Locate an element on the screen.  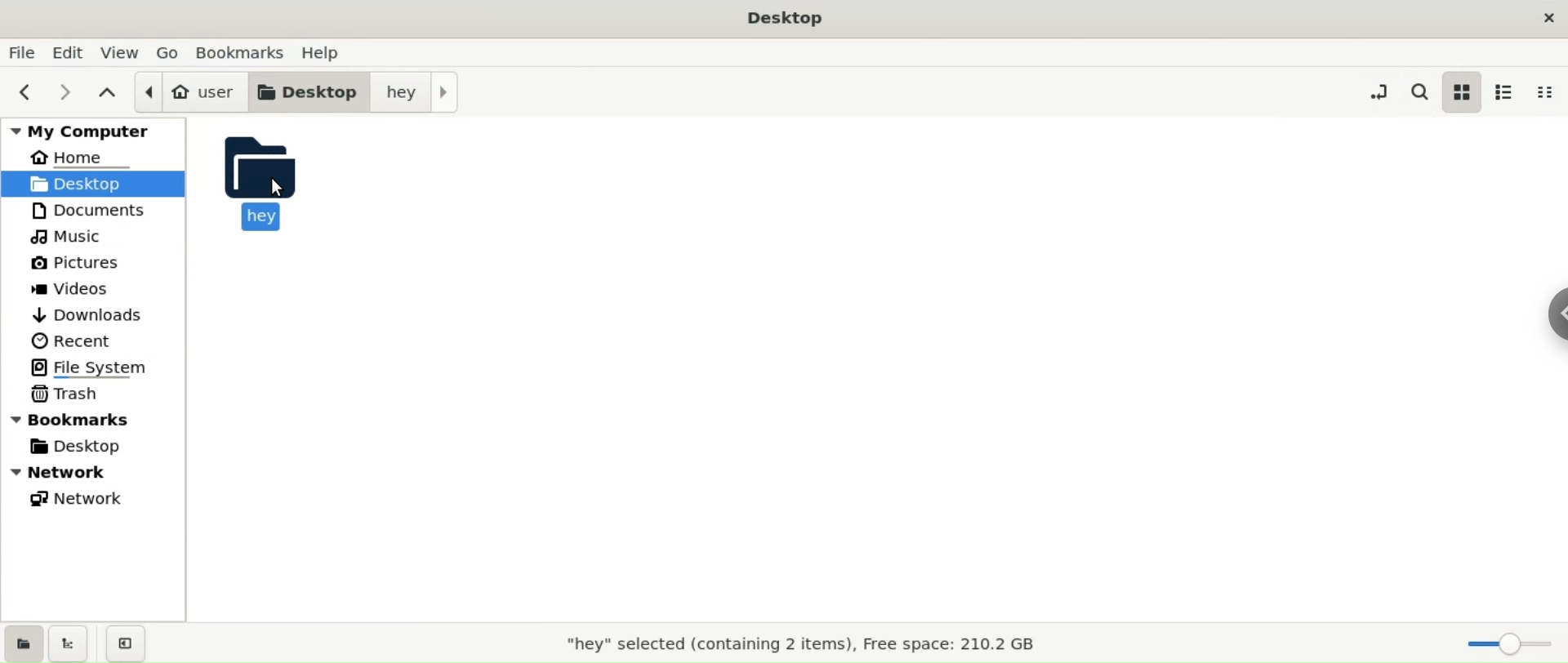
show treeview is located at coordinates (66, 645).